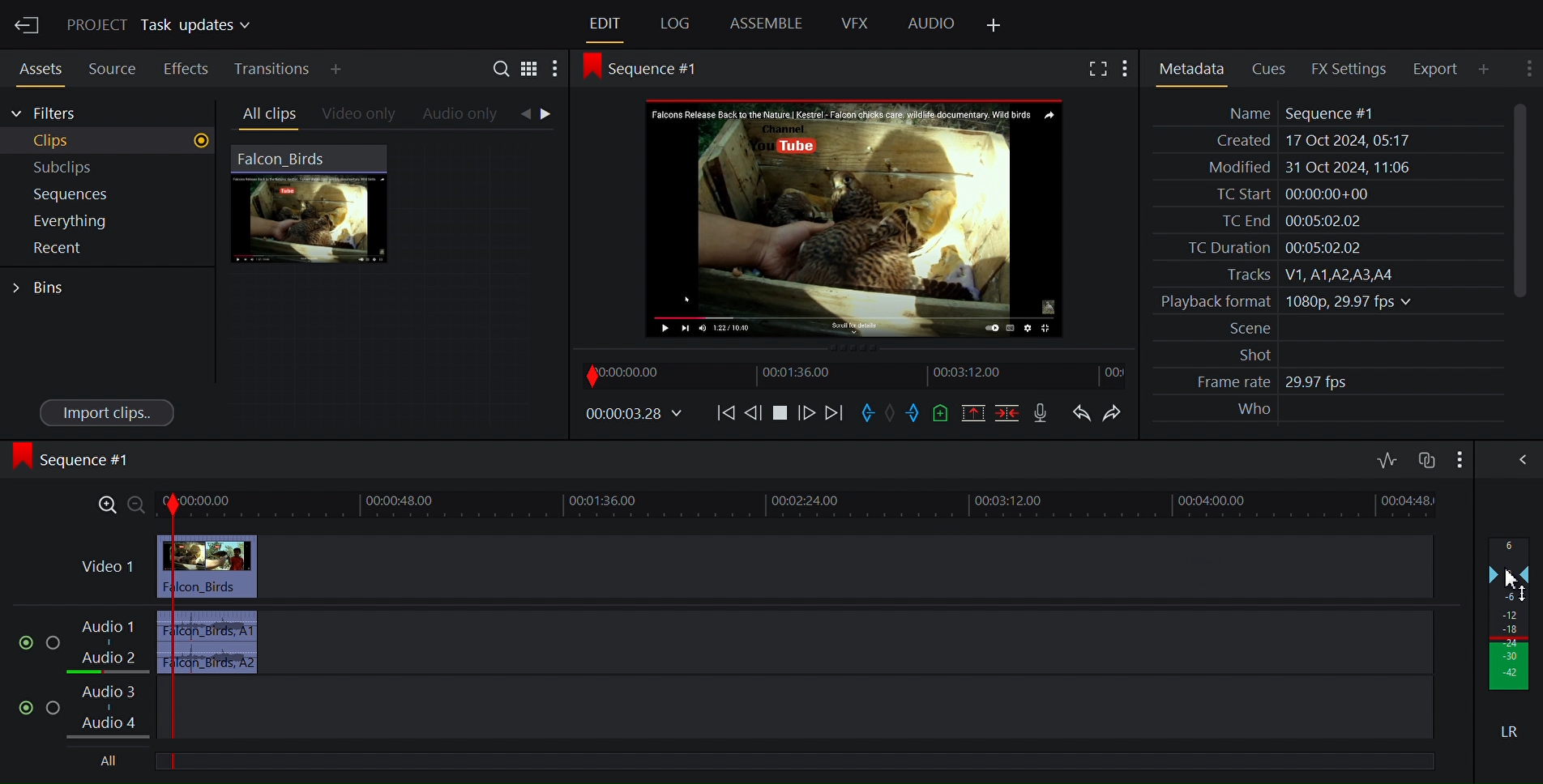 The height and width of the screenshot is (784, 1543). What do you see at coordinates (500, 66) in the screenshot?
I see `Search in assets and bins` at bounding box center [500, 66].